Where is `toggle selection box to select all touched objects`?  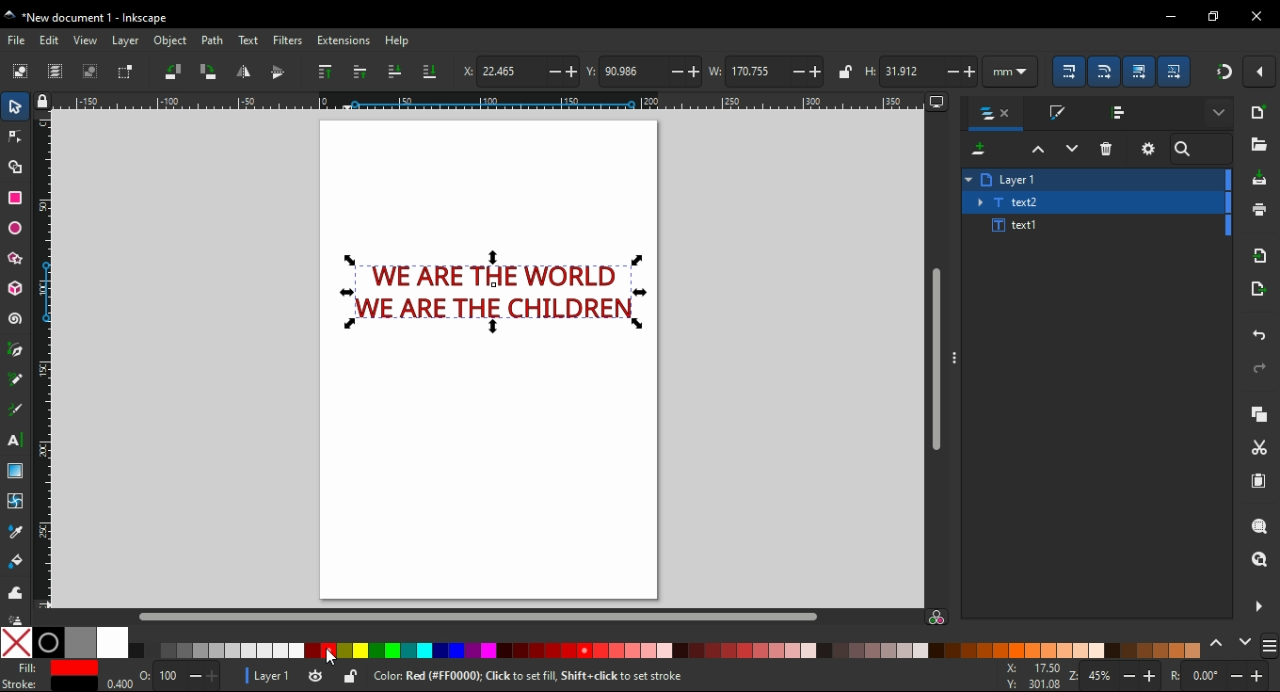 toggle selection box to select all touched objects is located at coordinates (128, 73).